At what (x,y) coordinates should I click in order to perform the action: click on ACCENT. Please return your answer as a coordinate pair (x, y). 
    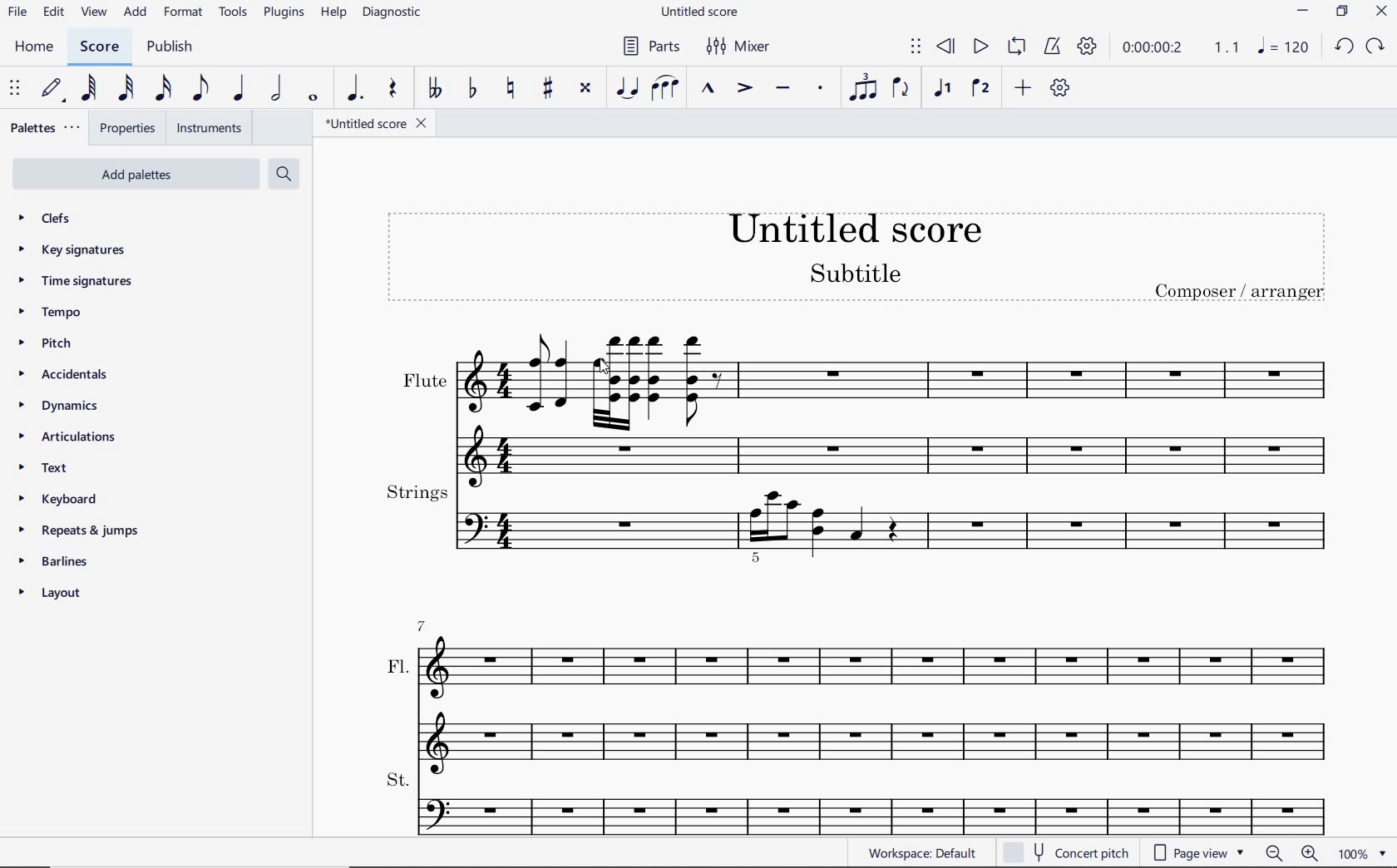
    Looking at the image, I should click on (743, 86).